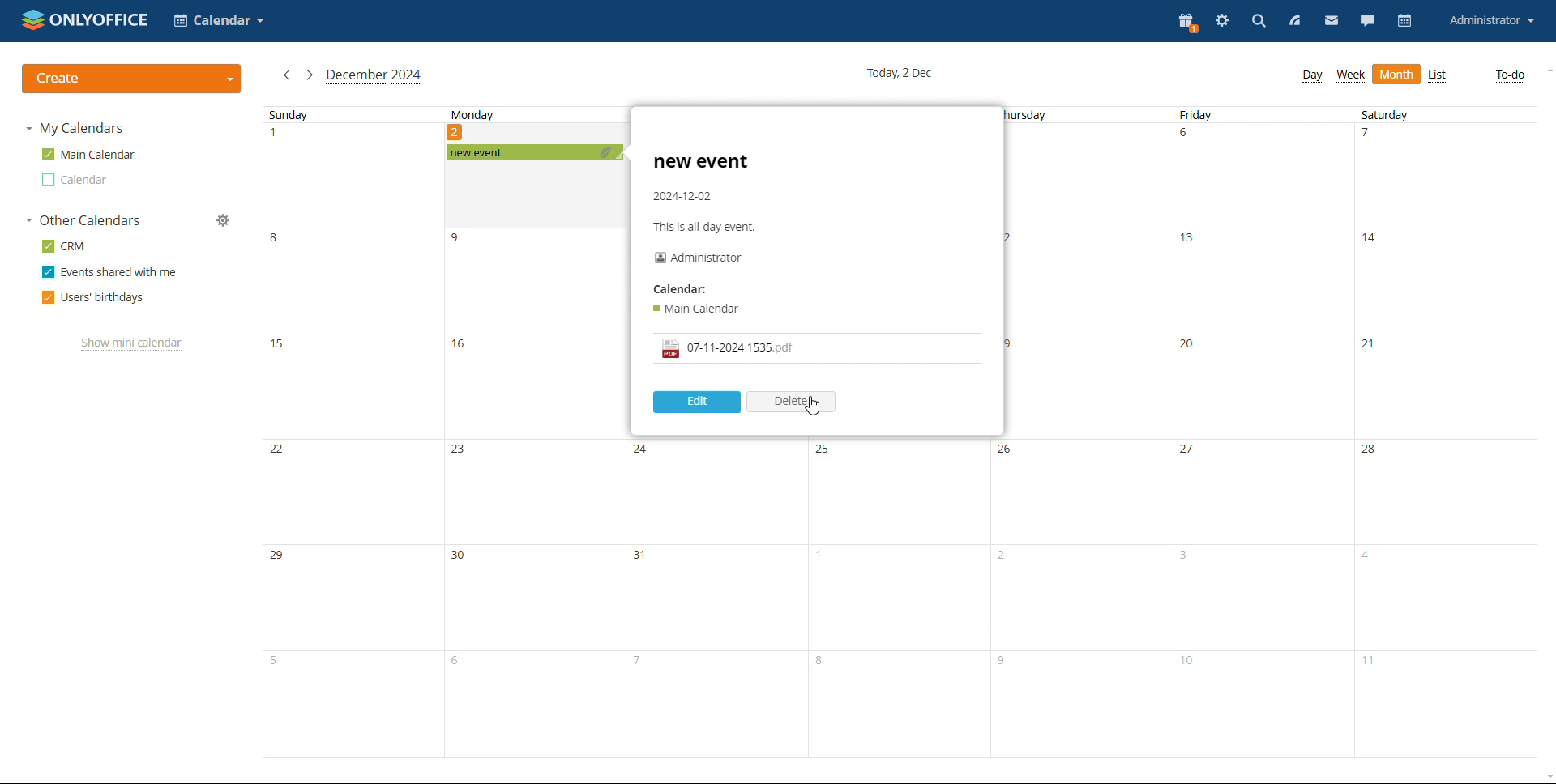 This screenshot has width=1556, height=784. What do you see at coordinates (708, 228) in the screenshot?
I see `This is all-day event.` at bounding box center [708, 228].